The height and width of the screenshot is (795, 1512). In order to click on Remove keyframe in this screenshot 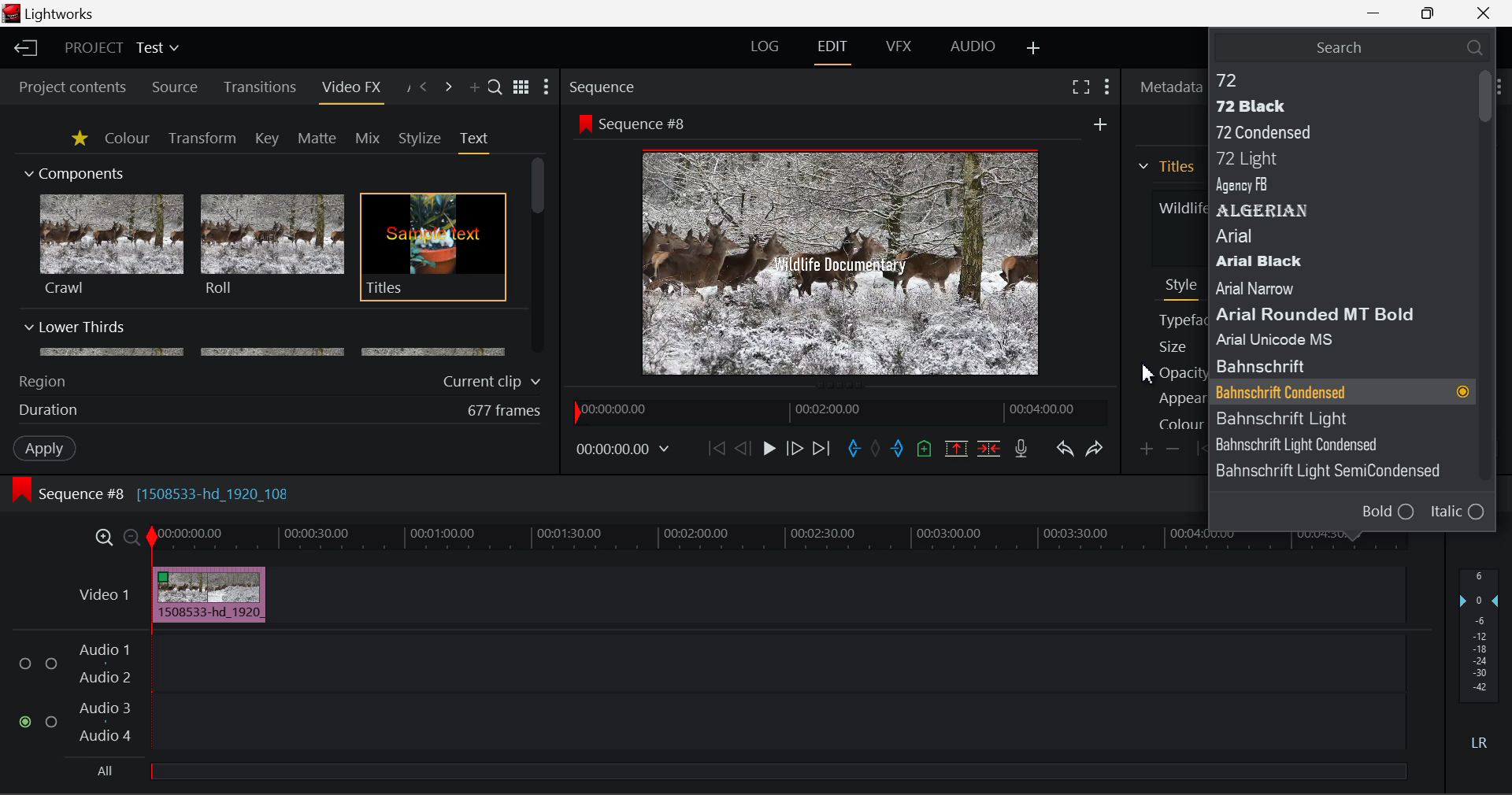, I will do `click(1173, 451)`.